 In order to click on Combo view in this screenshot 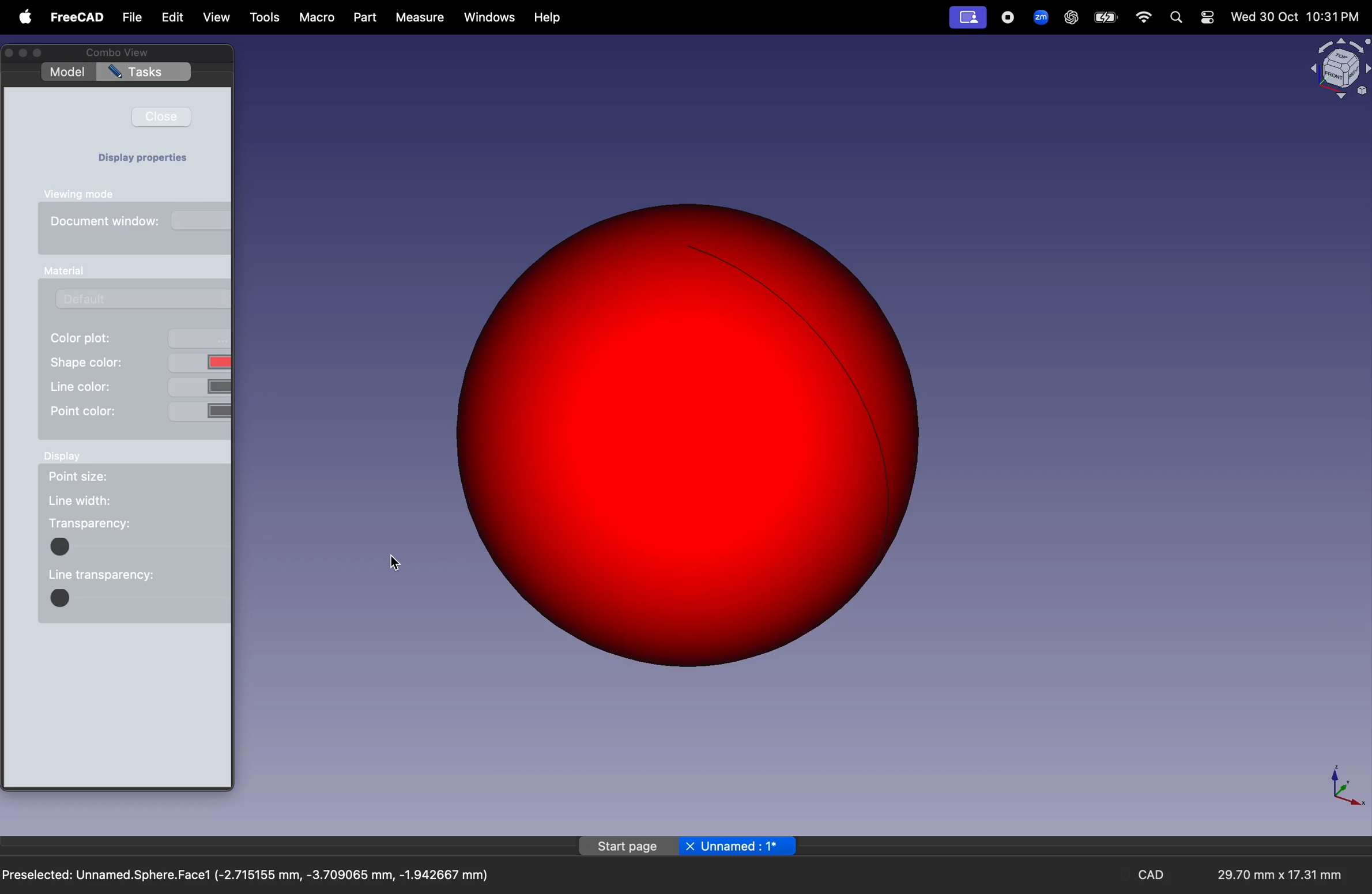, I will do `click(115, 52)`.